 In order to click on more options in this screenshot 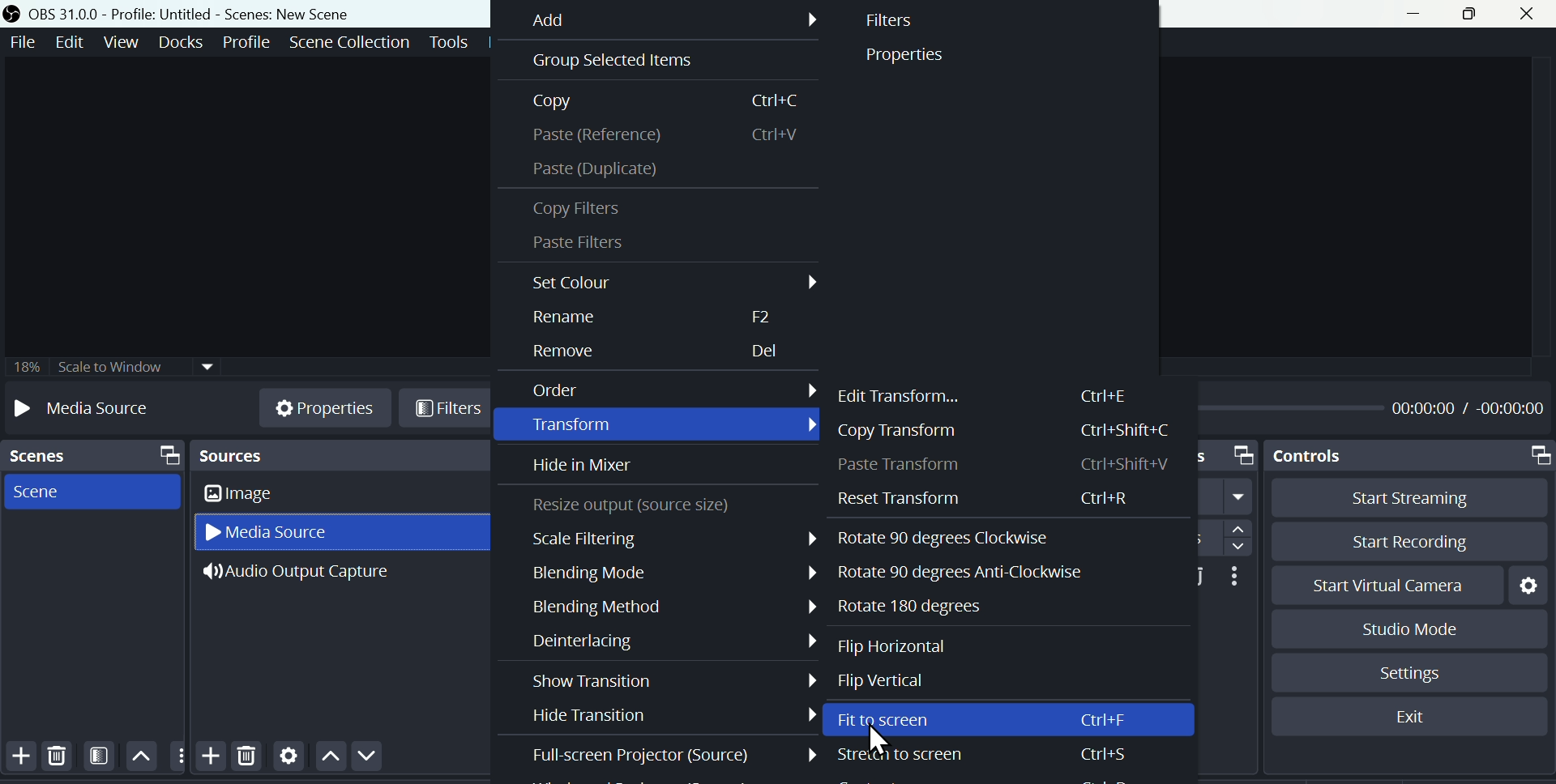, I will do `click(177, 755)`.